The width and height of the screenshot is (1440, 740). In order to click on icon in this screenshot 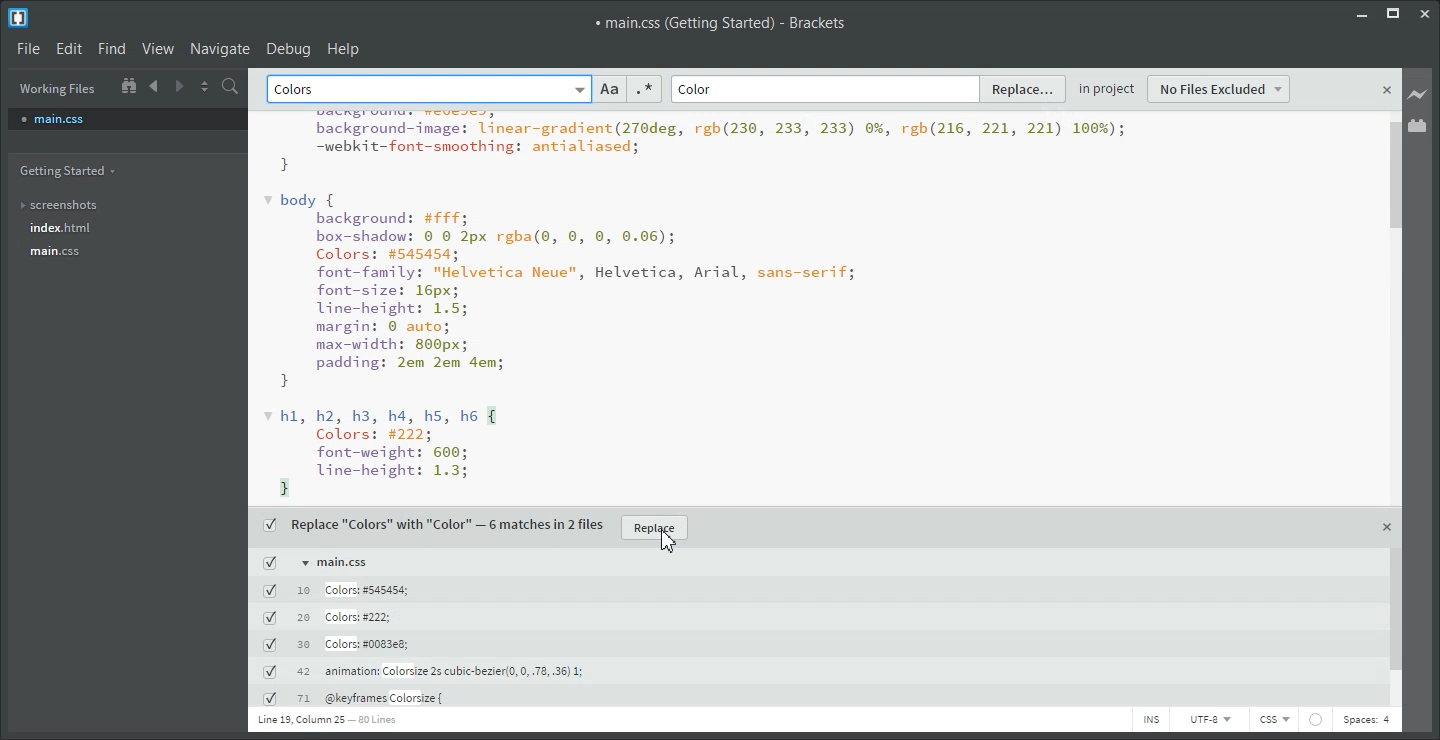, I will do `click(1315, 719)`.